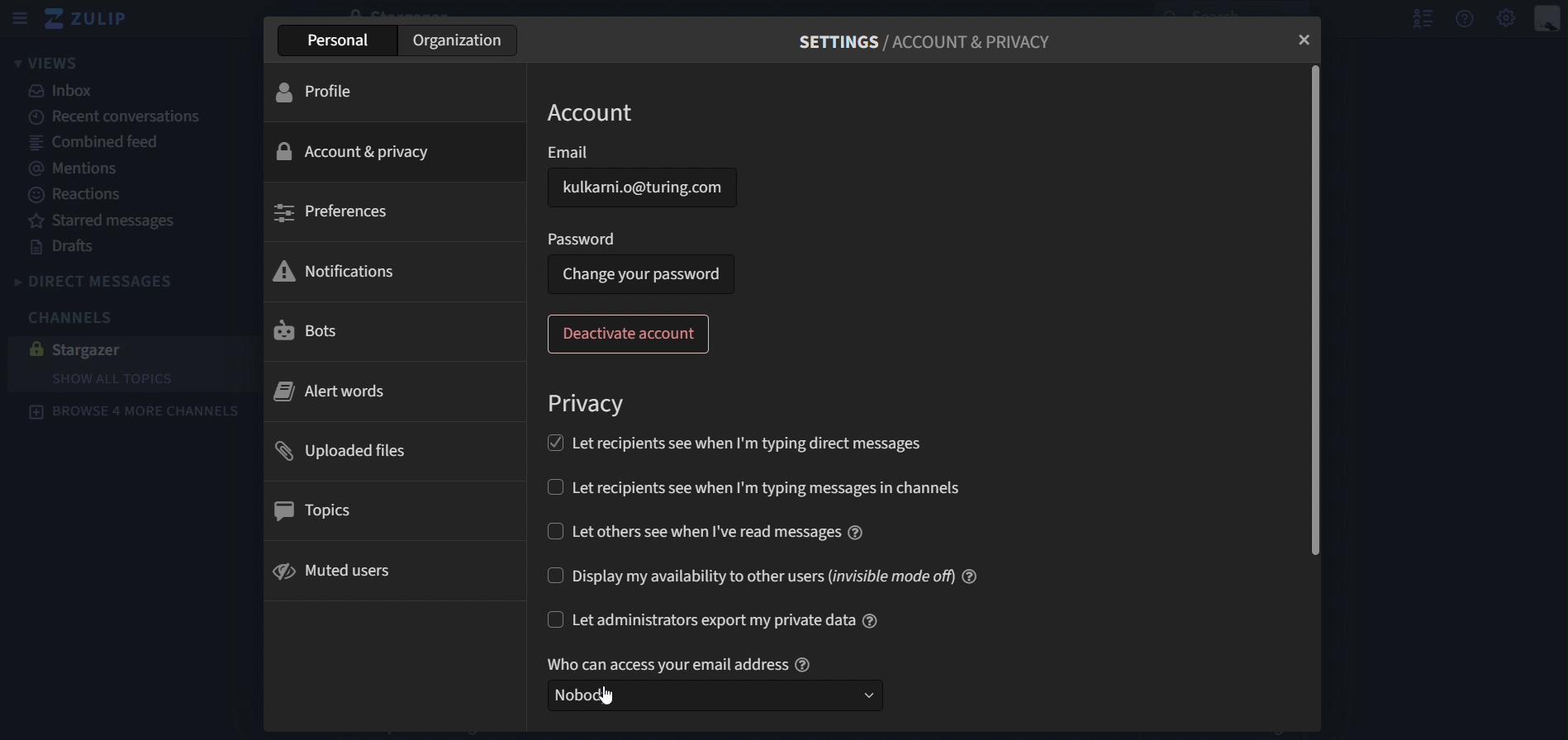 The height and width of the screenshot is (740, 1568). I want to click on topics, so click(325, 512).